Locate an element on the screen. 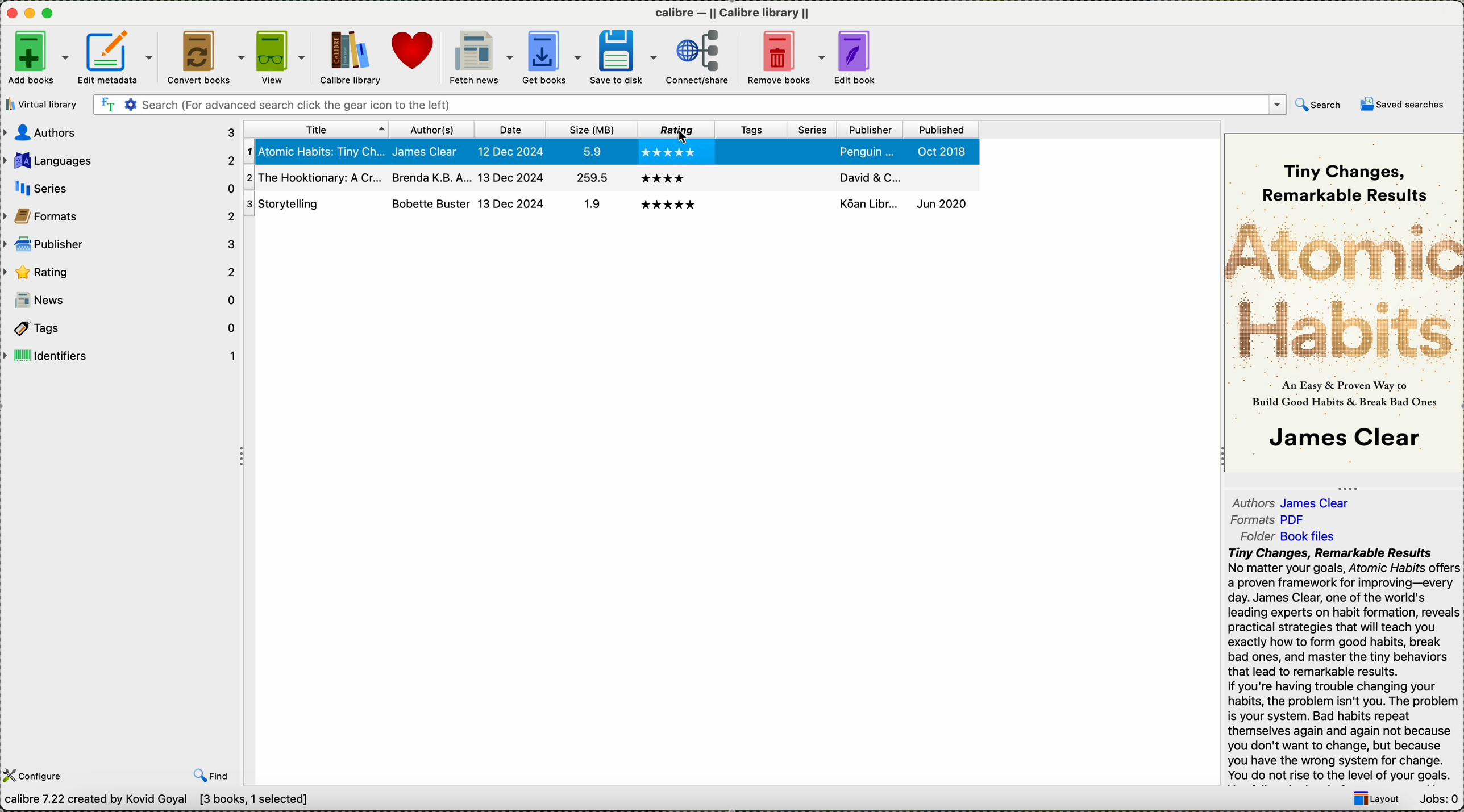 The image size is (1464, 812). James Clear is located at coordinates (1342, 440).